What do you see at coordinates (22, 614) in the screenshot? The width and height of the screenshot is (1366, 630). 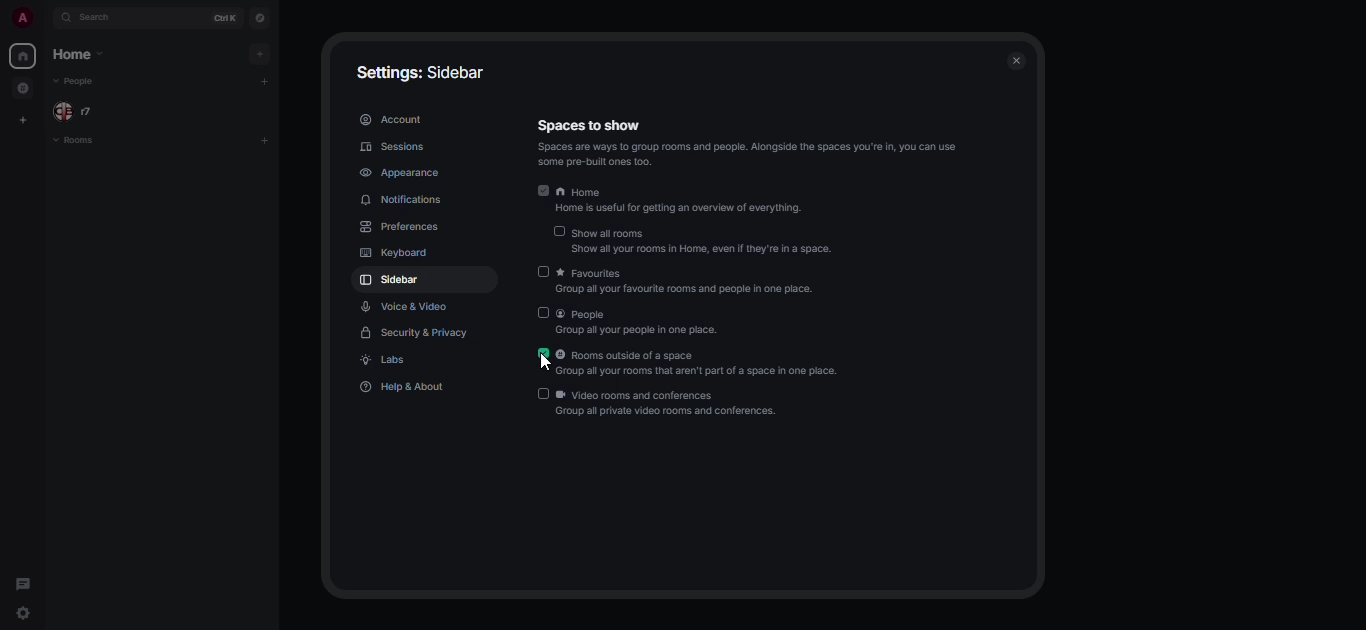 I see `quick settings` at bounding box center [22, 614].